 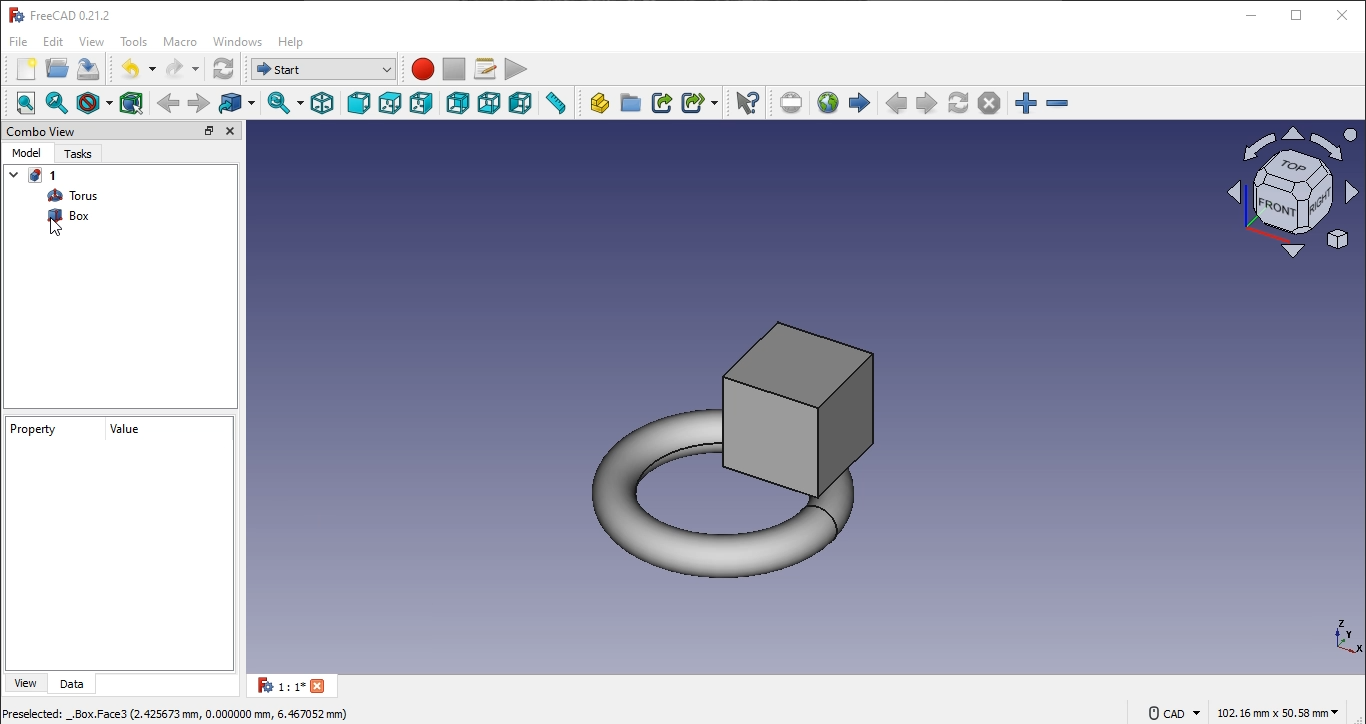 I want to click on view, so click(x=92, y=42).